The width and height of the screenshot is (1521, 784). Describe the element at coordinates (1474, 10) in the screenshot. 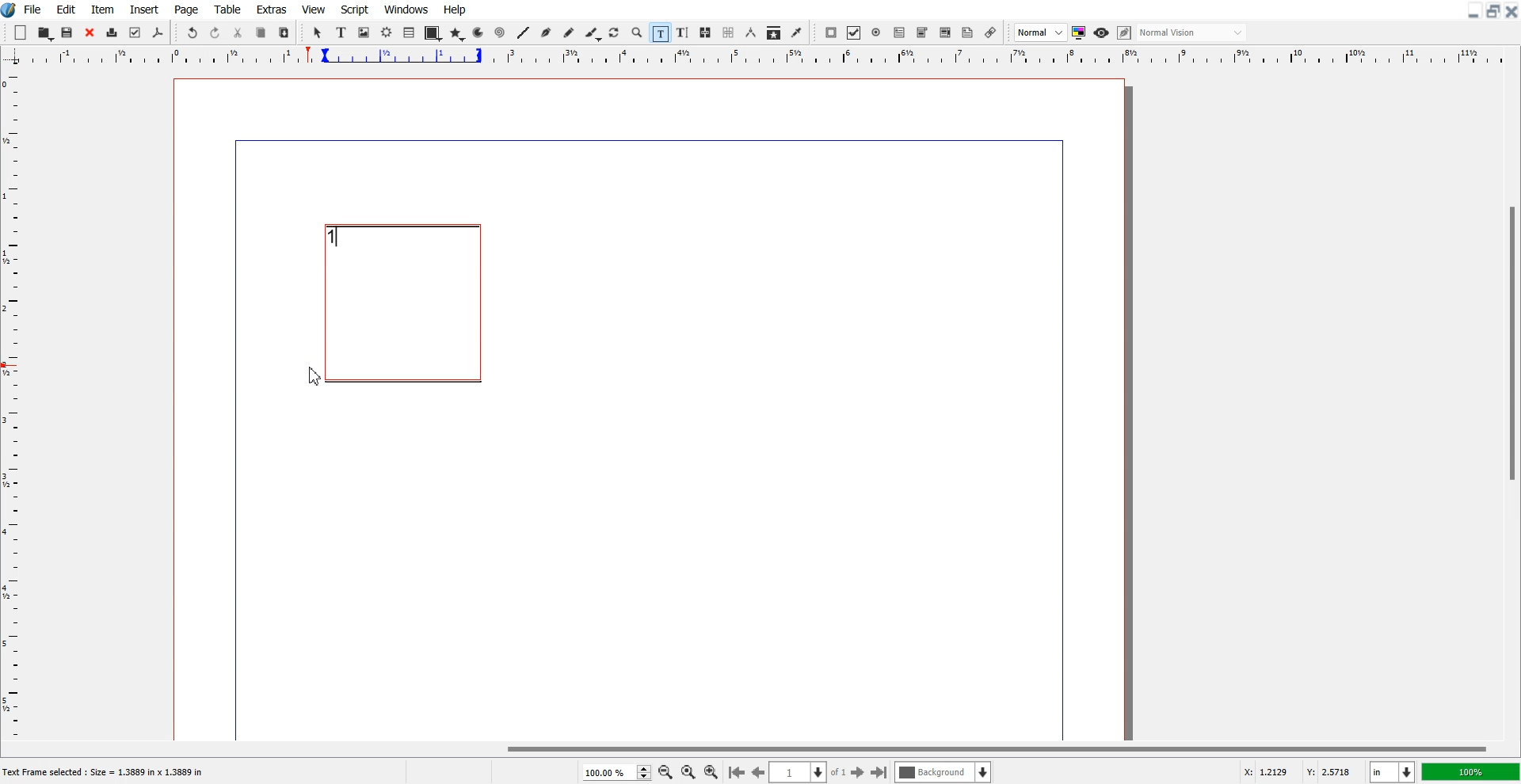

I see `Minimize` at that location.